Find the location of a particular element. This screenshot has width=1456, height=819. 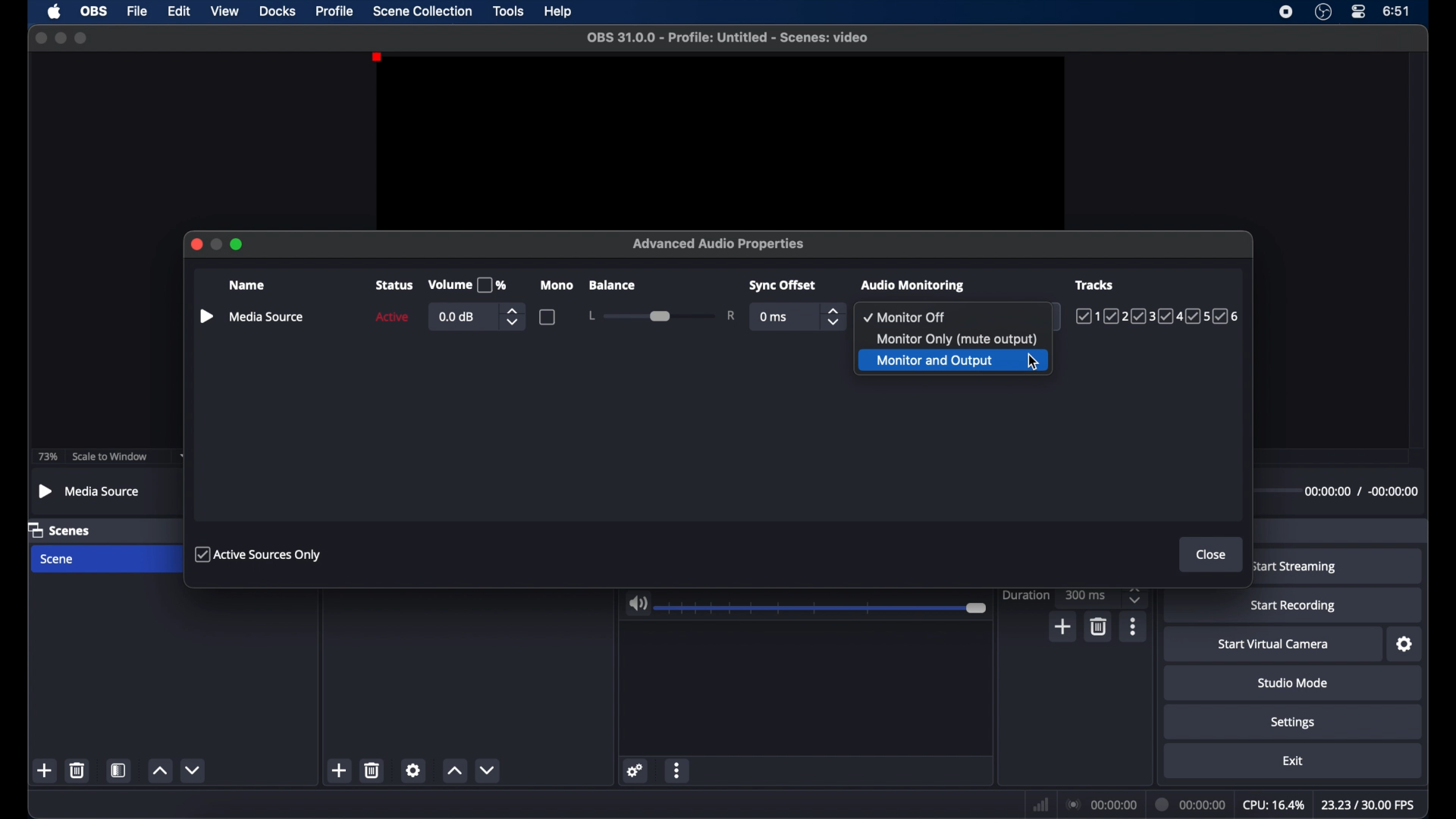

300ms is located at coordinates (1086, 595).